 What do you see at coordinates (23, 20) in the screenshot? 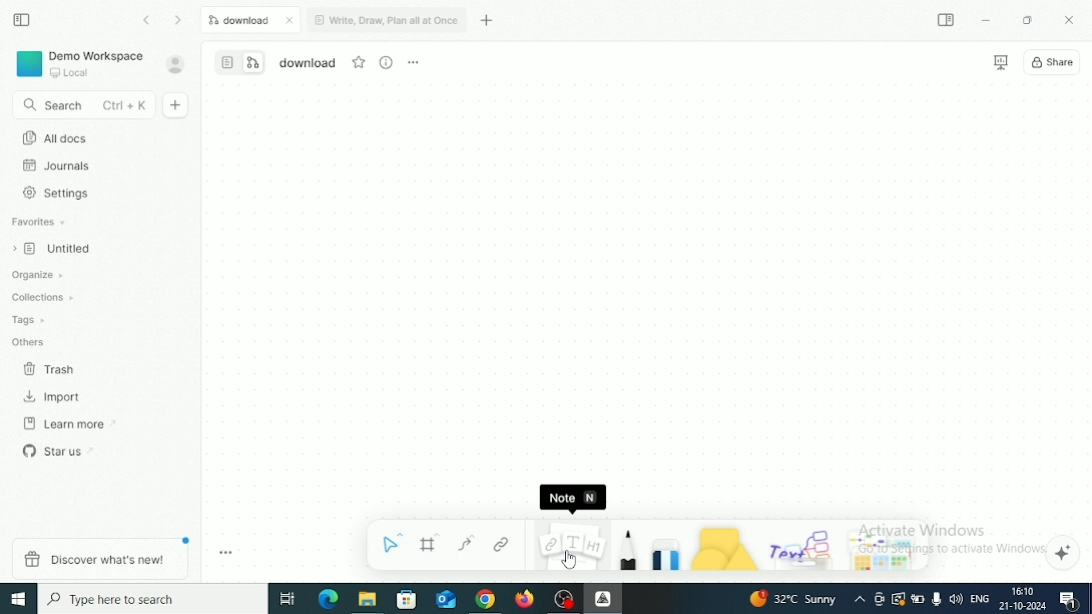
I see `Collapse sidebar` at bounding box center [23, 20].